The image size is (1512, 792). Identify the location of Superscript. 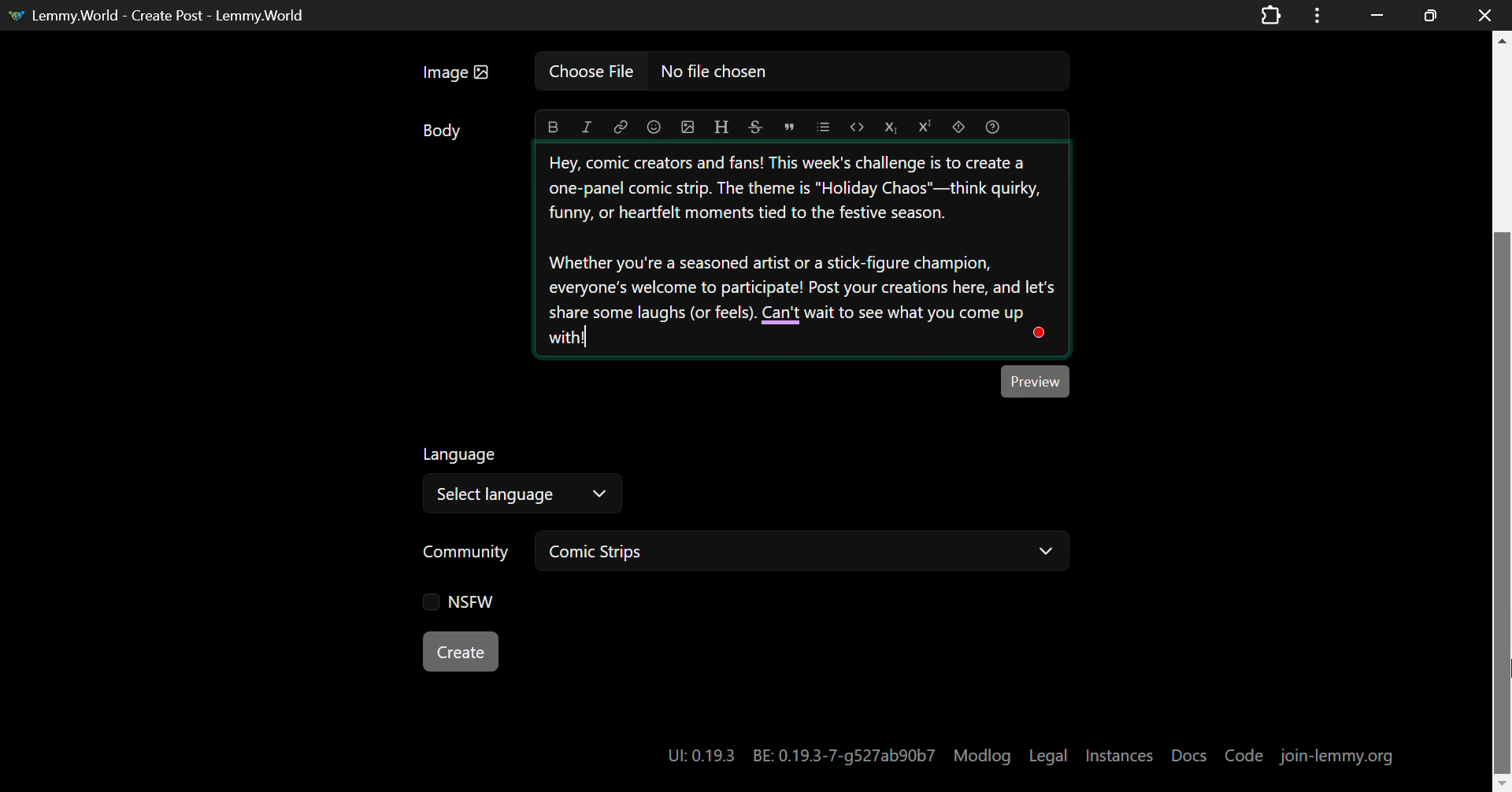
(925, 125).